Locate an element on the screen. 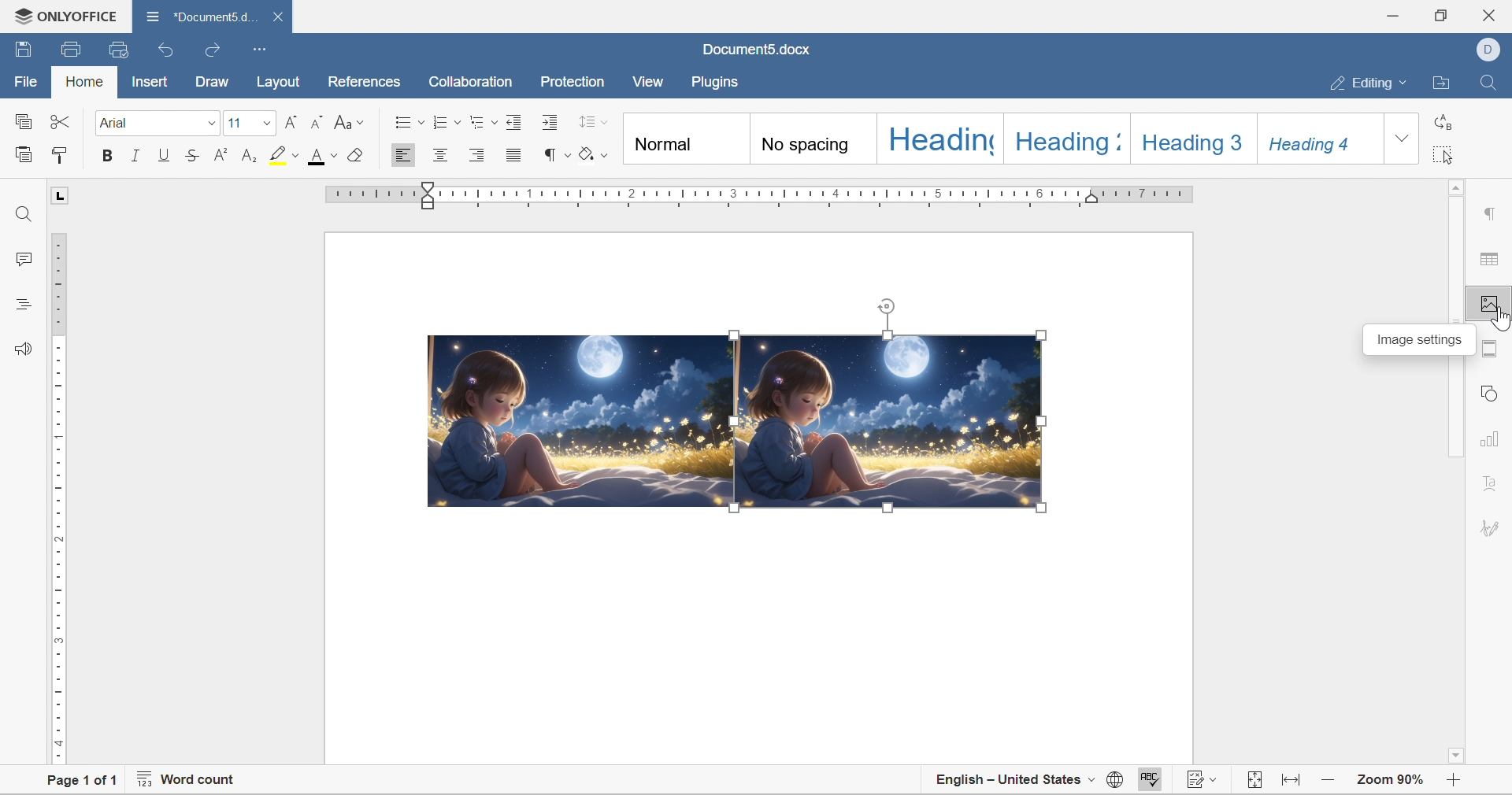 This screenshot has width=1512, height=795. multilevel list is located at coordinates (483, 122).